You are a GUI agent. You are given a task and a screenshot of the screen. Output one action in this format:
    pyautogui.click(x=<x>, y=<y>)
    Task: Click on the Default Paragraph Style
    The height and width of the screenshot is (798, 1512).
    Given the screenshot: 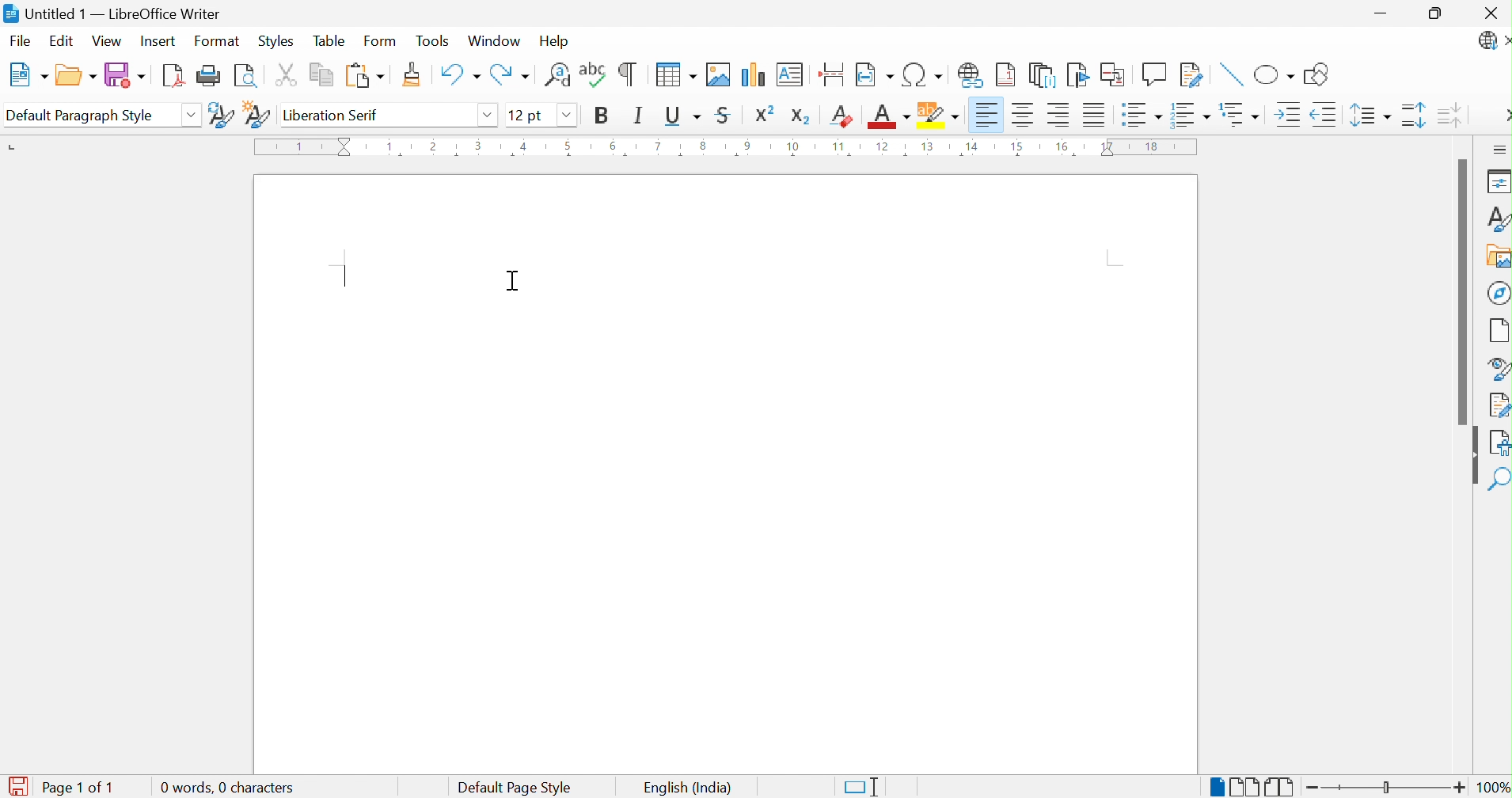 What is the action you would take?
    pyautogui.click(x=80, y=114)
    